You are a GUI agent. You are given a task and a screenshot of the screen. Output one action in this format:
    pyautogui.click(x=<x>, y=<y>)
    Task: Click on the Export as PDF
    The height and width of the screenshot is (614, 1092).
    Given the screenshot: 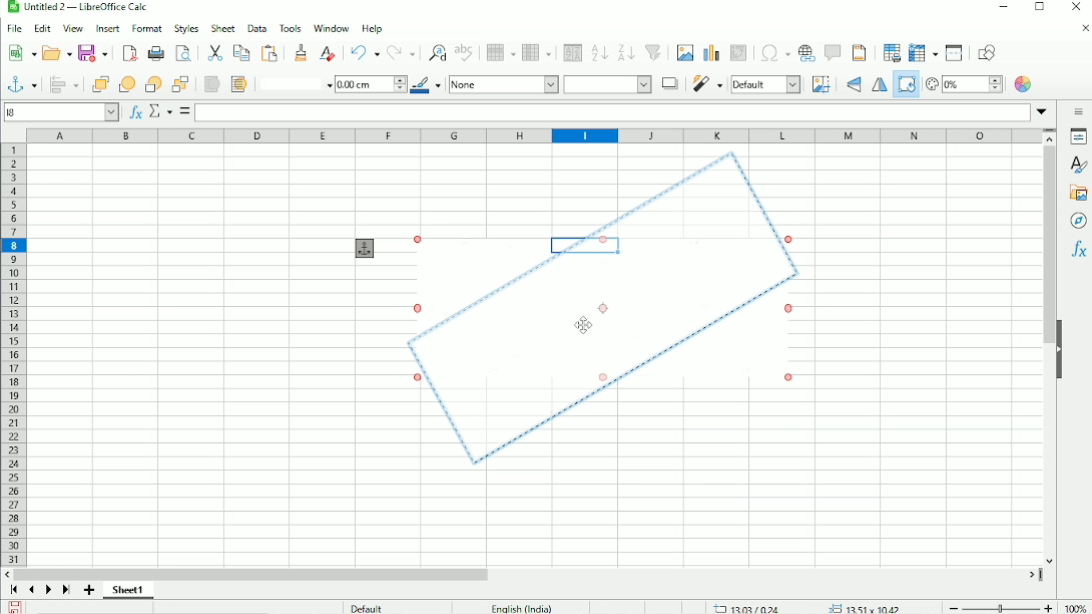 What is the action you would take?
    pyautogui.click(x=129, y=53)
    